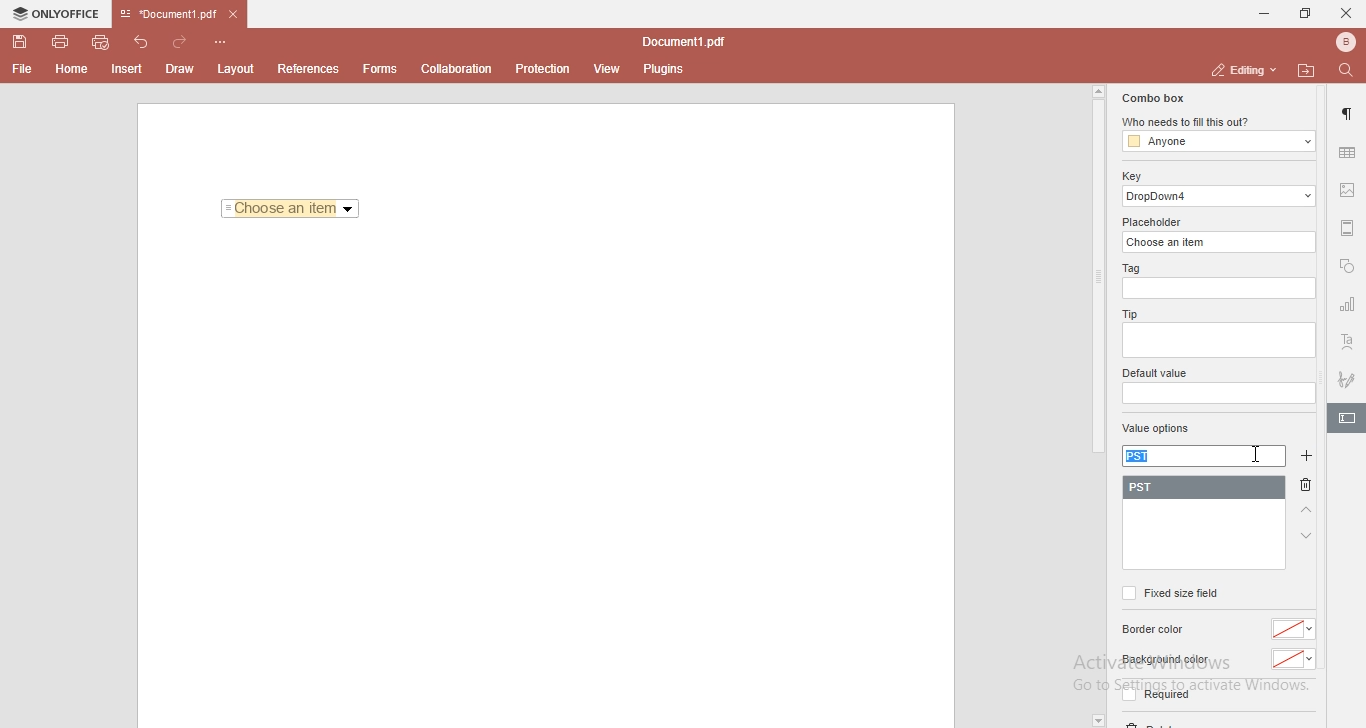 The image size is (1366, 728). Describe the element at coordinates (1097, 270) in the screenshot. I see `scroll bar` at that location.